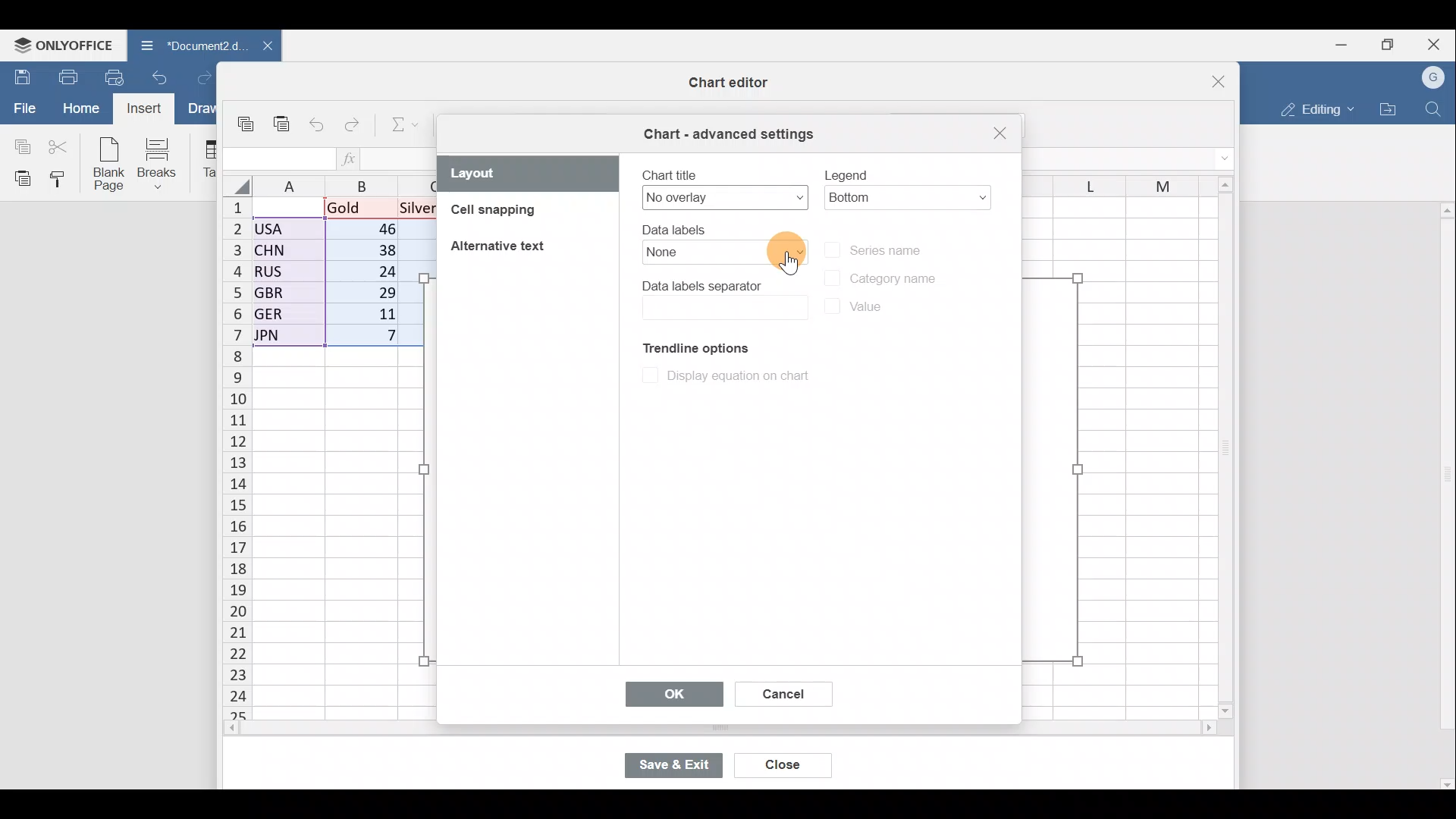  I want to click on Scroll bar, so click(1442, 490).